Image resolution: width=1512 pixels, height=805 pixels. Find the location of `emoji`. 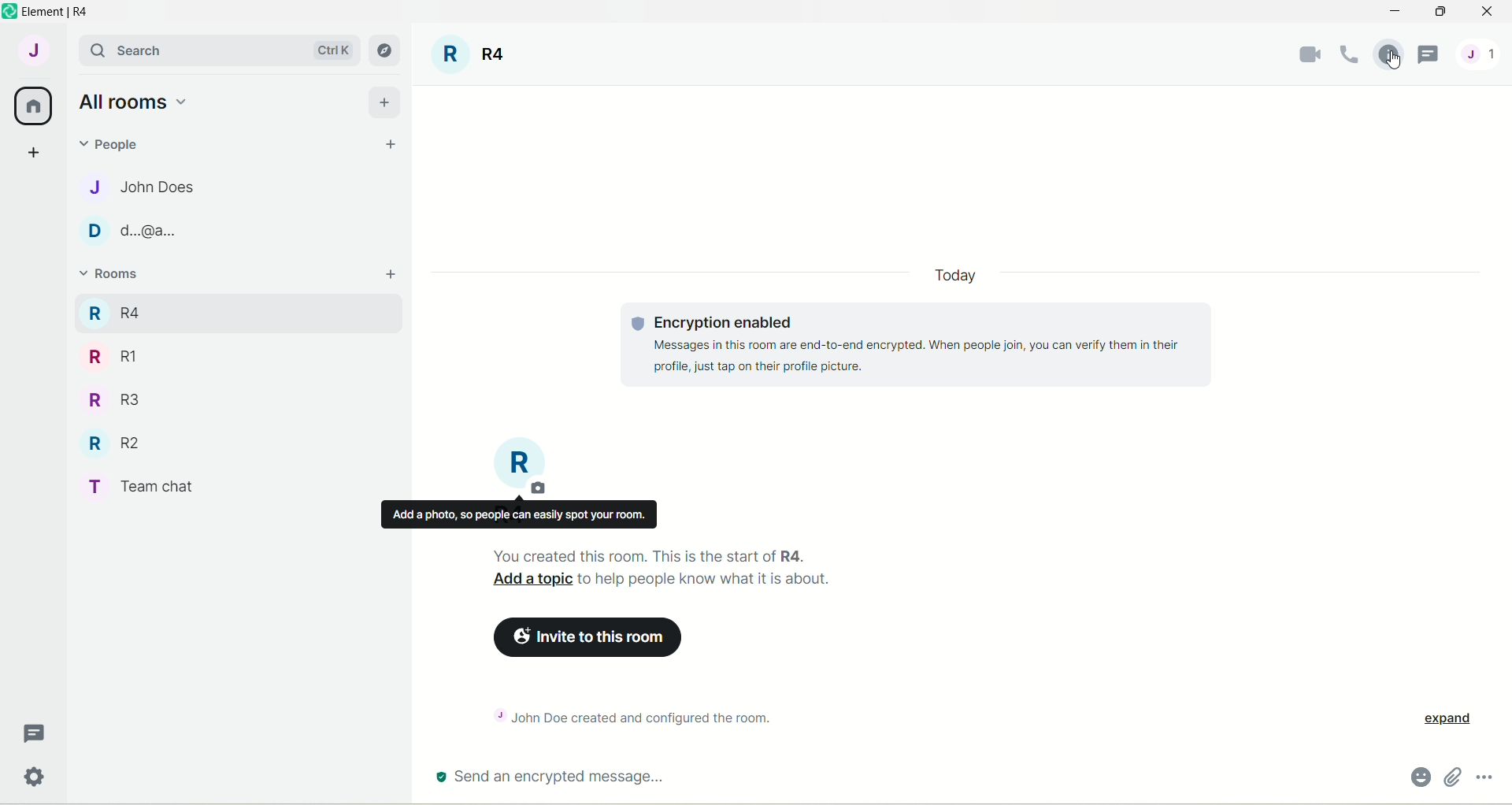

emoji is located at coordinates (1414, 776).